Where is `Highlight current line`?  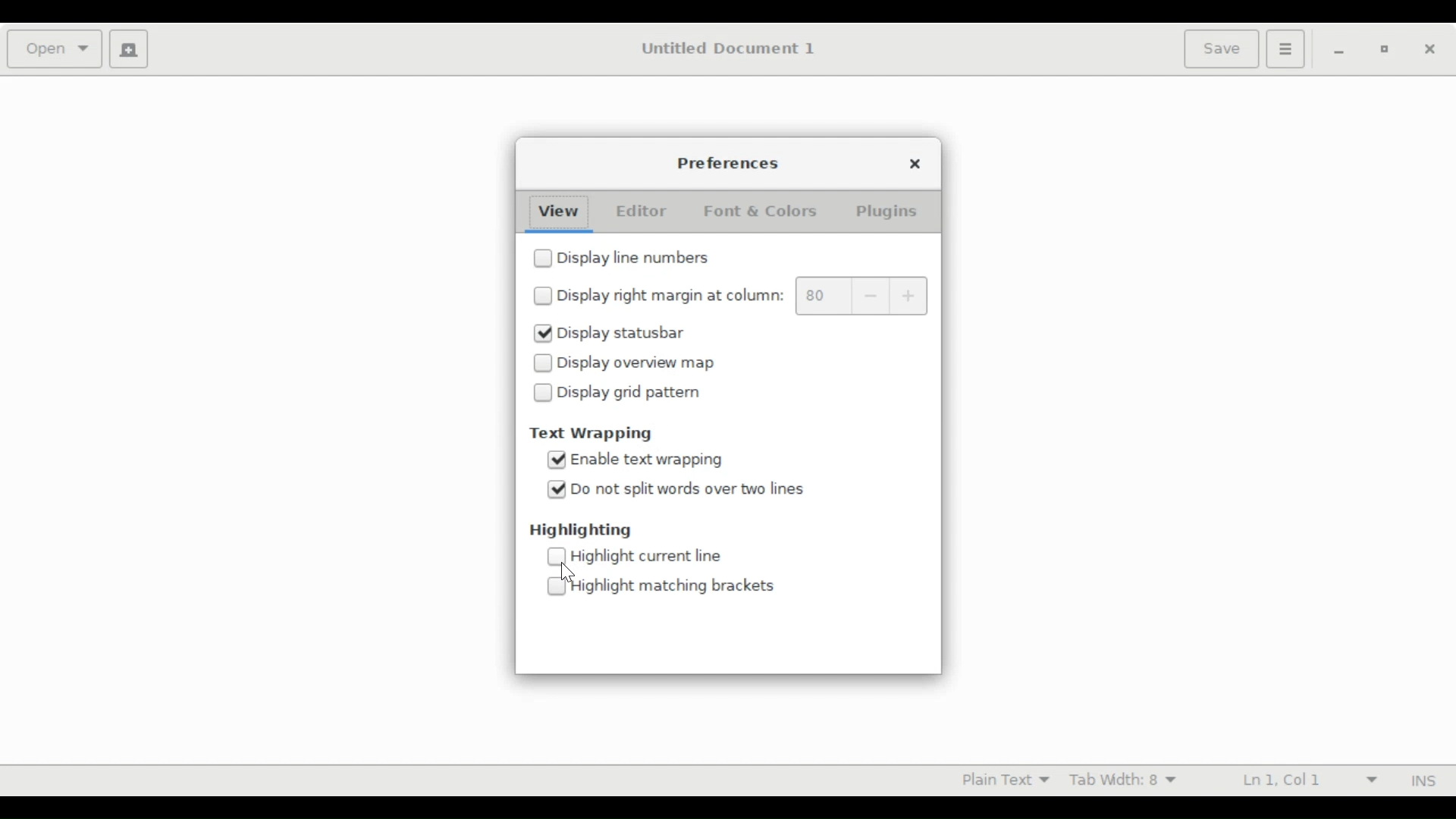
Highlight current line is located at coordinates (648, 557).